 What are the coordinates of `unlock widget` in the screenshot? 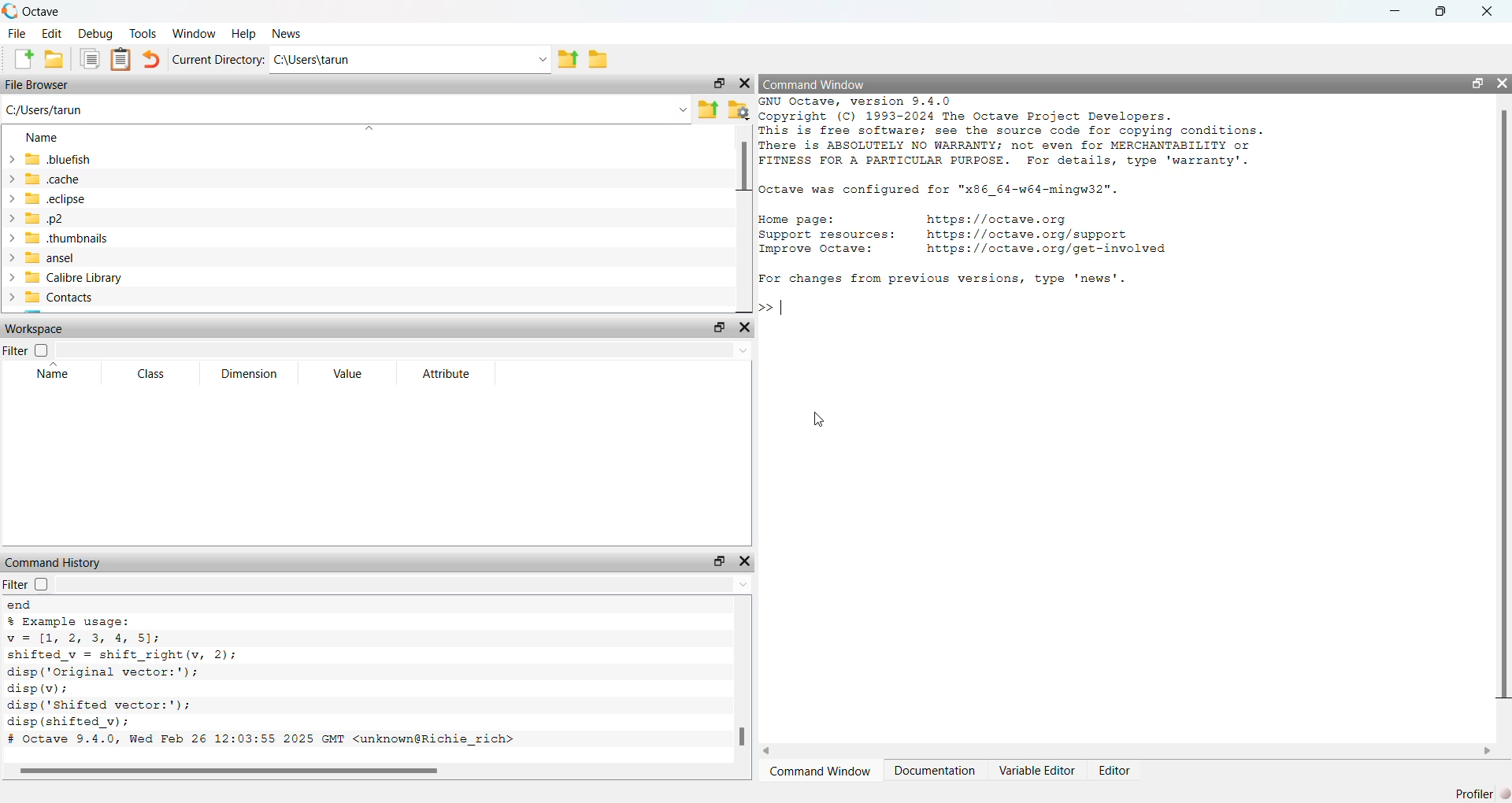 It's located at (716, 327).